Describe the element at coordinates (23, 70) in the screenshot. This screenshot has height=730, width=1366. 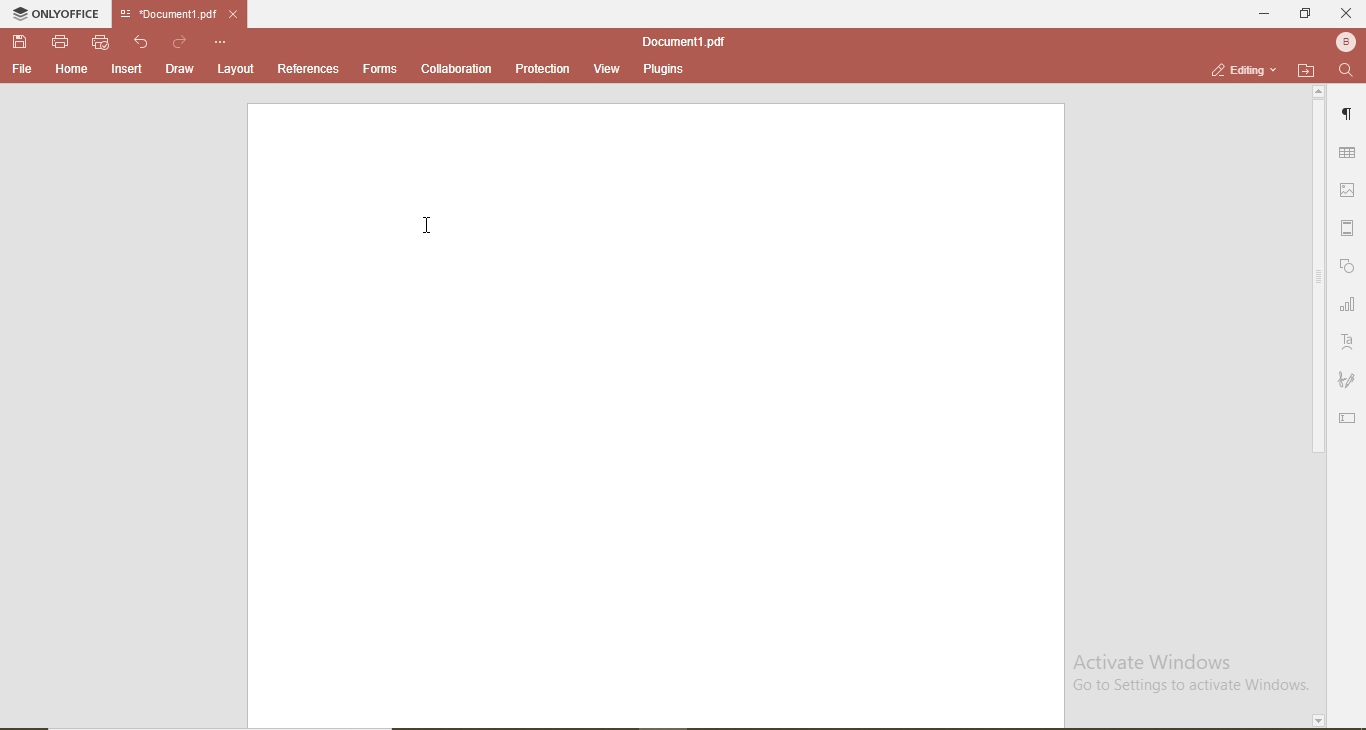
I see `file` at that location.